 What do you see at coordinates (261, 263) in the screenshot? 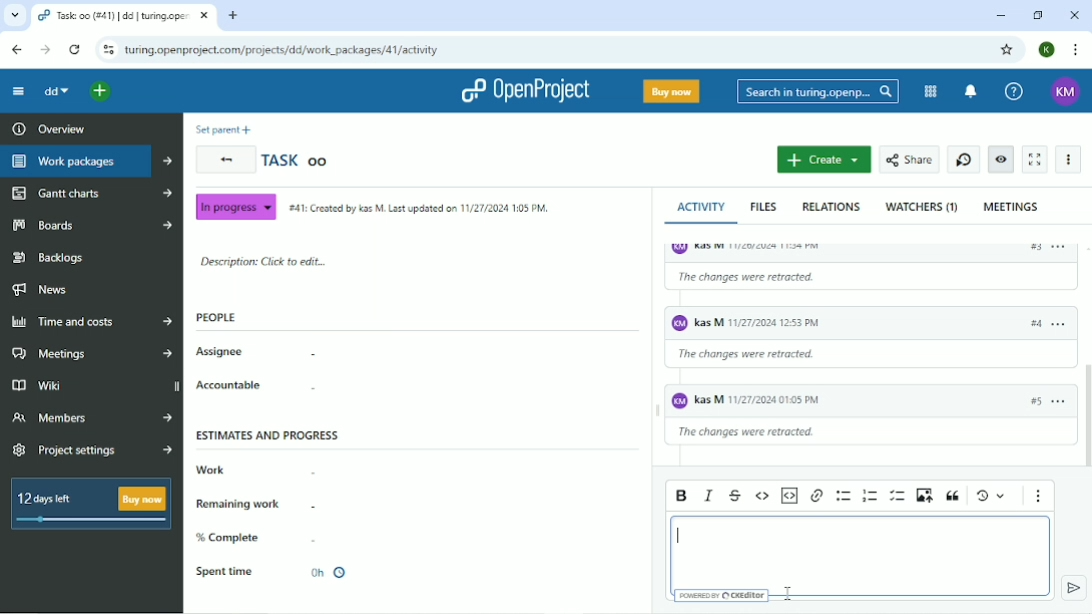
I see `Description` at bounding box center [261, 263].